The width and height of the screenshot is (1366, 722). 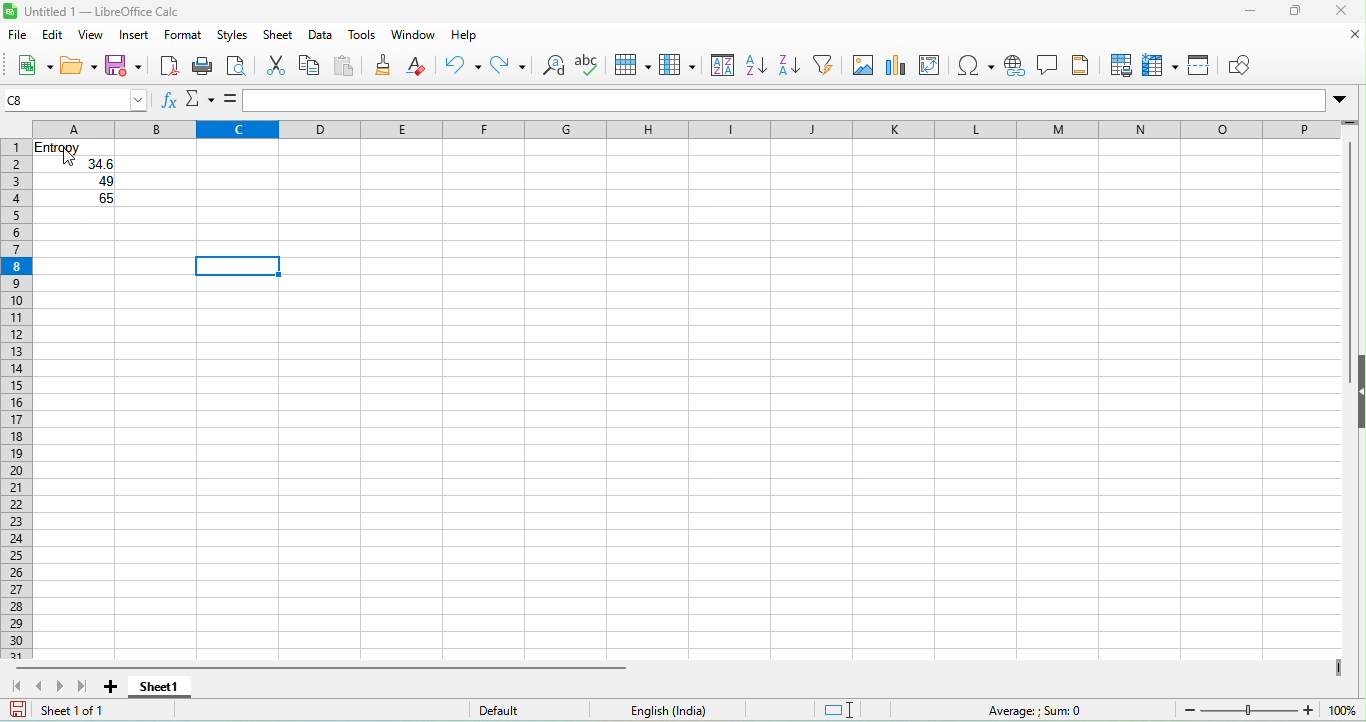 I want to click on row, so click(x=630, y=64).